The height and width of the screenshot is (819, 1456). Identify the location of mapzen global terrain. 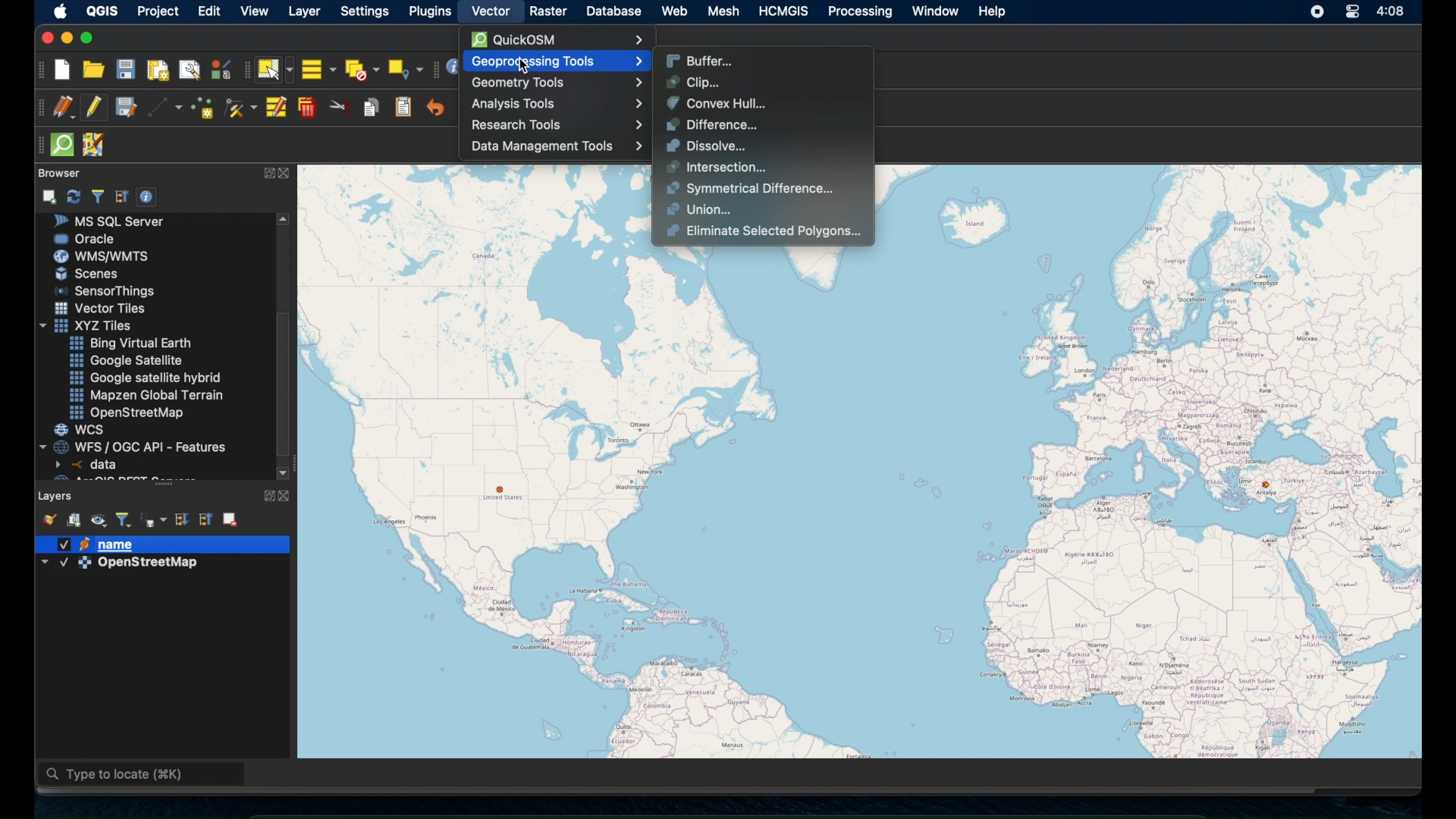
(147, 394).